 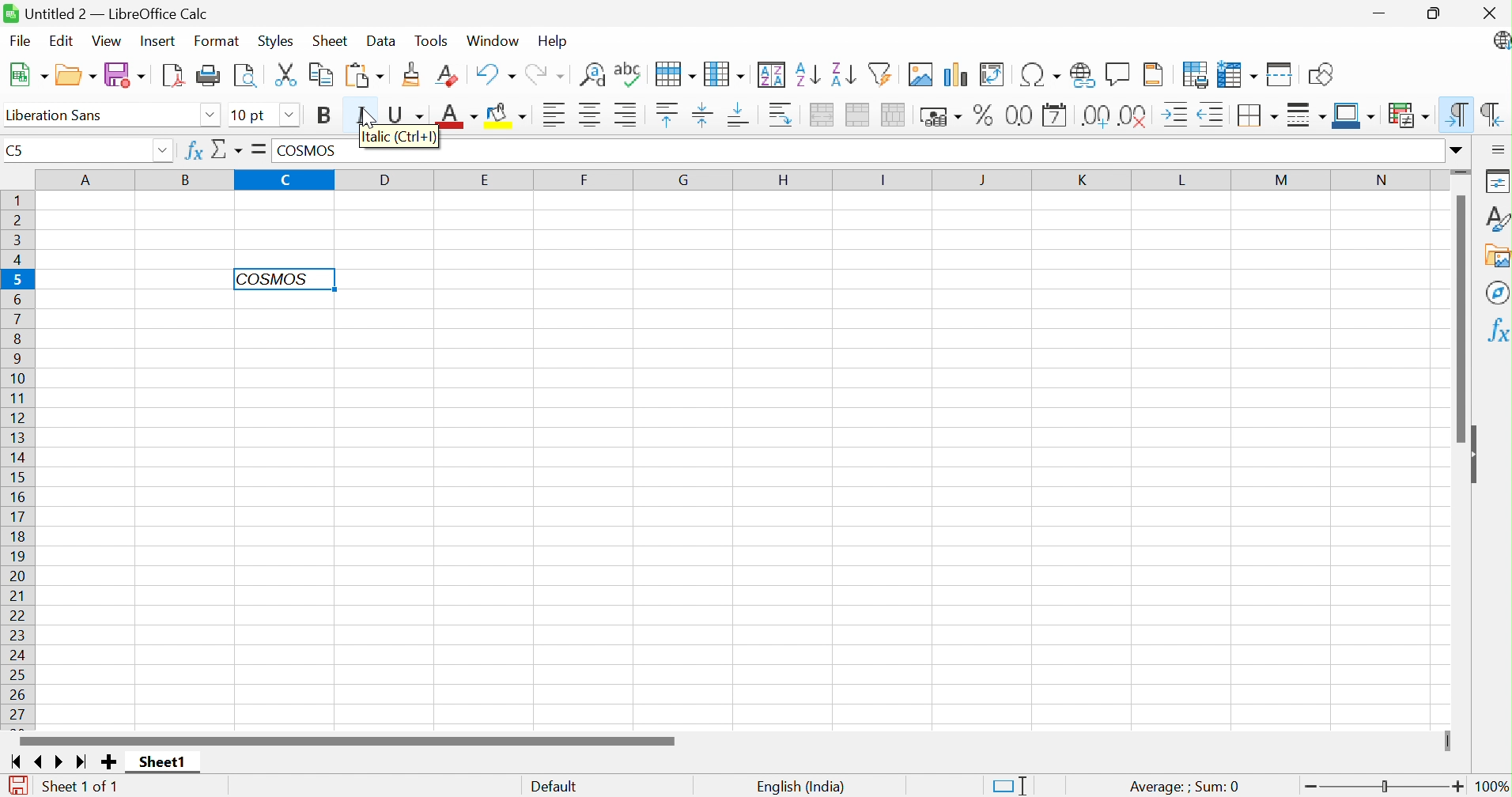 What do you see at coordinates (1133, 115) in the screenshot?
I see `Delete decimal place` at bounding box center [1133, 115].